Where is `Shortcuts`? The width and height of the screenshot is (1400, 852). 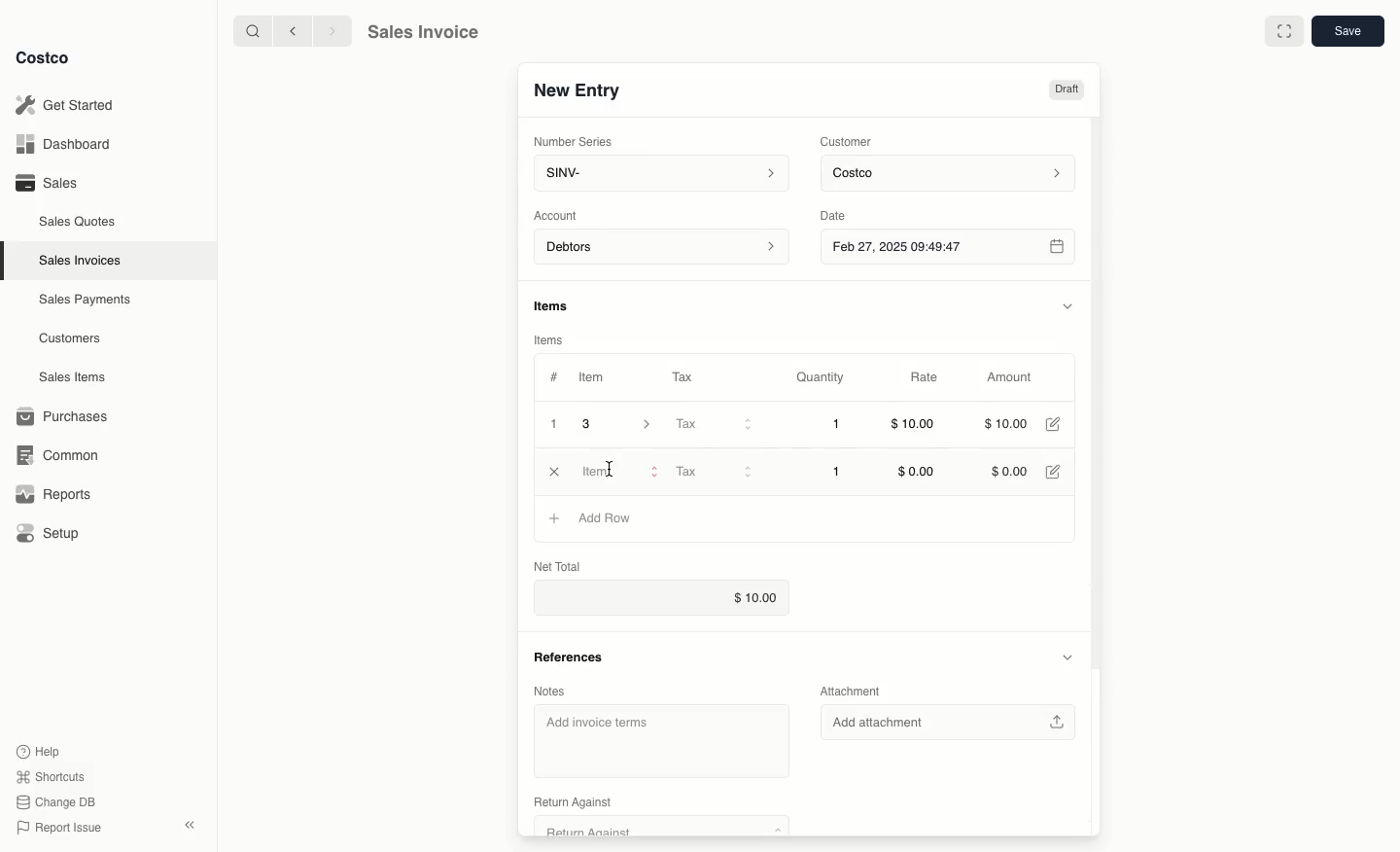
Shortcuts is located at coordinates (50, 775).